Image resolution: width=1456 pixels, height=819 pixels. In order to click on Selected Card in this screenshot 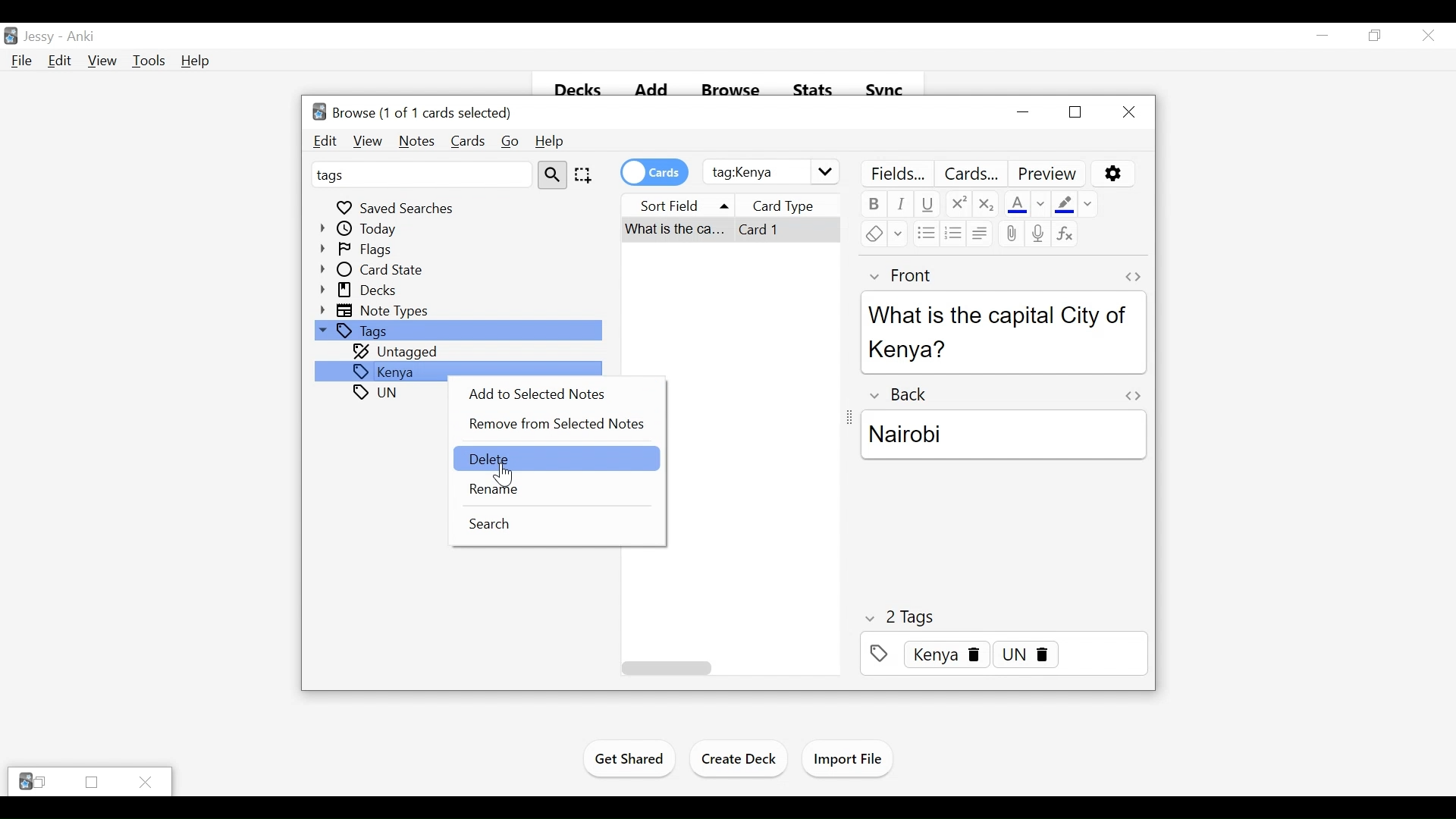, I will do `click(732, 231)`.